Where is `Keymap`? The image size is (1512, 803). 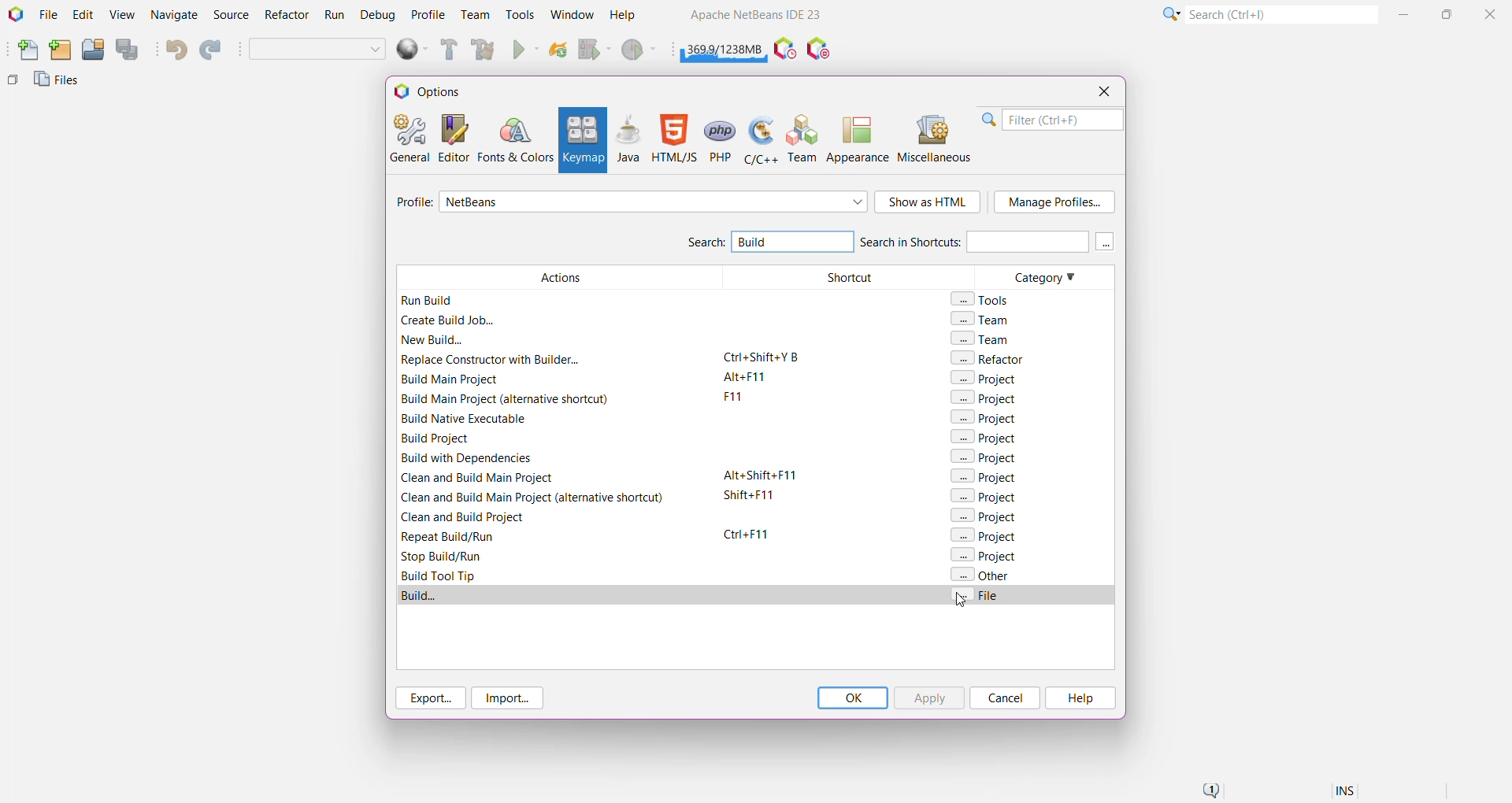
Keymap is located at coordinates (581, 140).